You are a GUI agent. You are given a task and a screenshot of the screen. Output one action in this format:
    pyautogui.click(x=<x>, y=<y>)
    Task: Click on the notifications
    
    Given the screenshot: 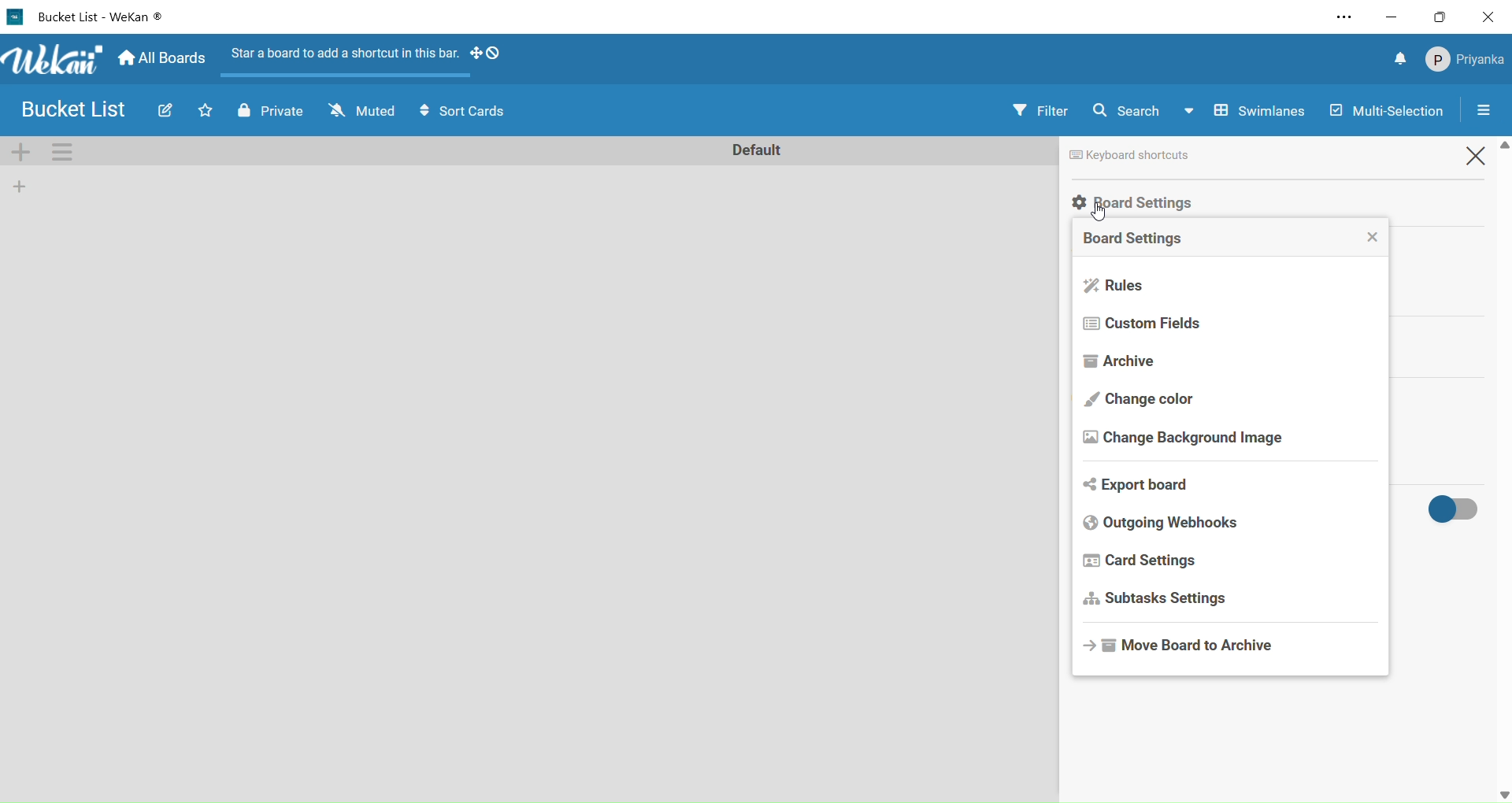 What is the action you would take?
    pyautogui.click(x=1400, y=58)
    